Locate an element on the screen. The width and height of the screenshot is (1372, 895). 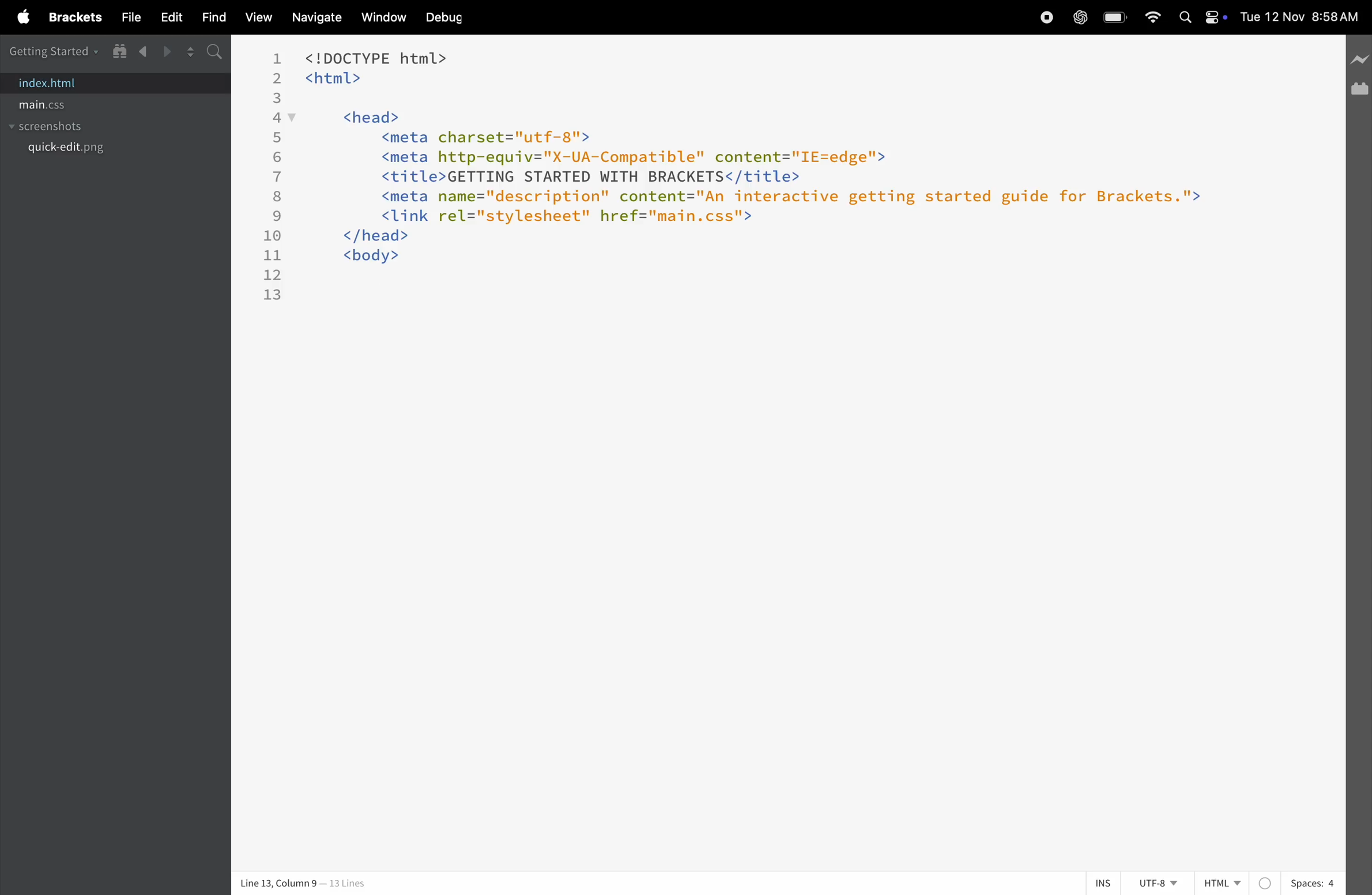
window is located at coordinates (380, 18).